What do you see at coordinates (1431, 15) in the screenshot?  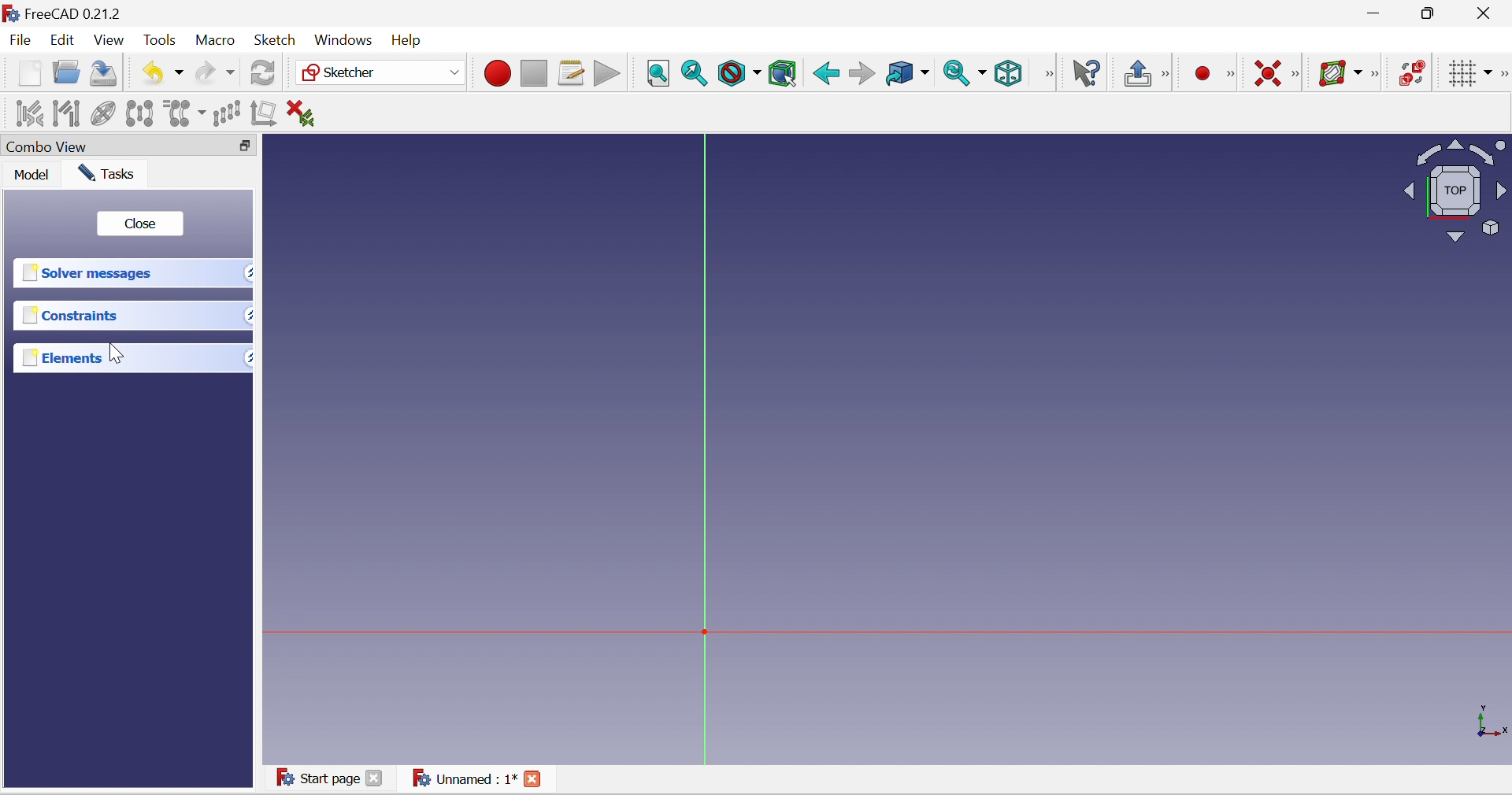 I see `Restore down` at bounding box center [1431, 15].